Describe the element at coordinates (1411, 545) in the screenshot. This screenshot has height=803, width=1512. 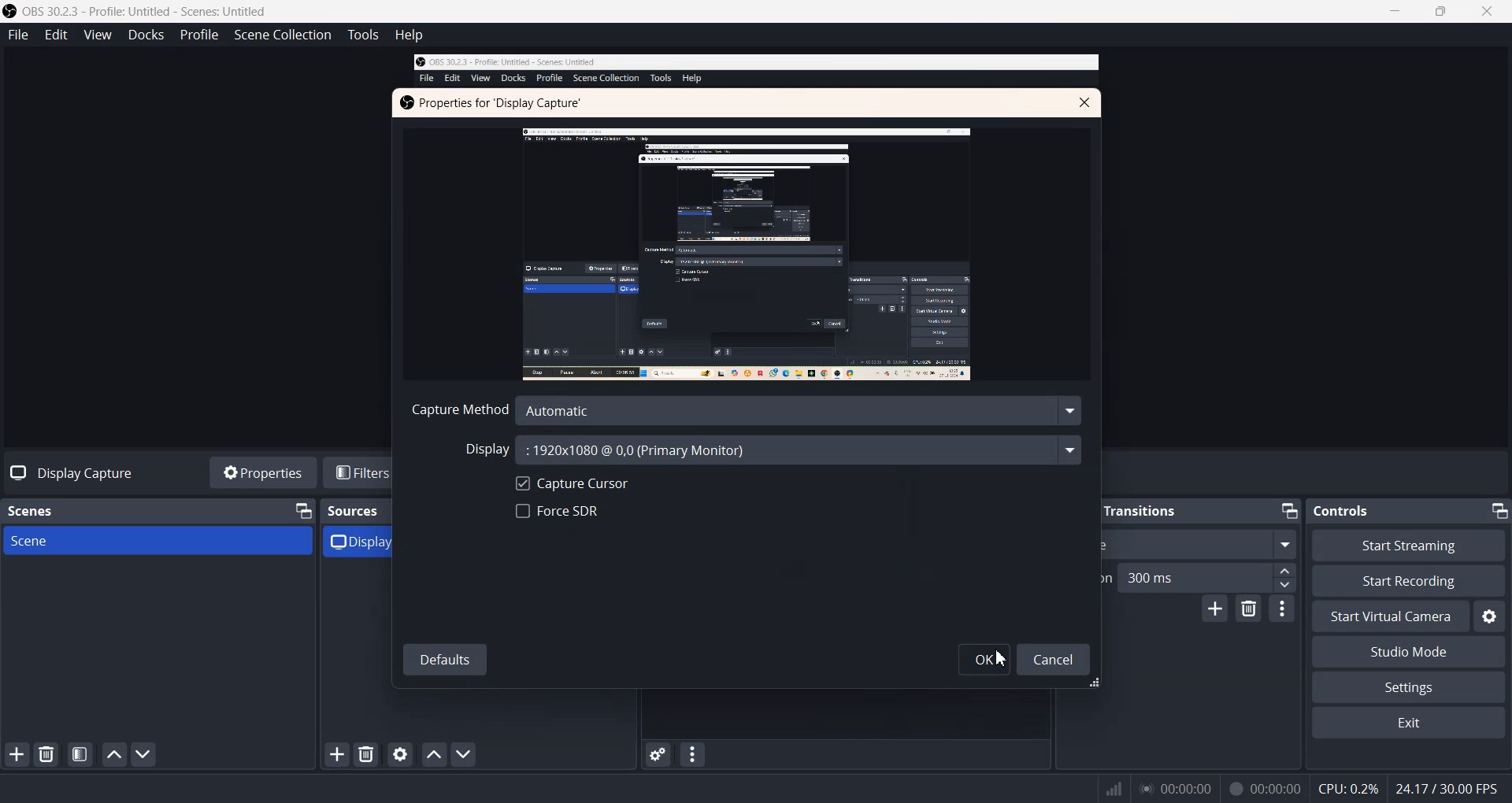
I see `Start Streaming` at that location.